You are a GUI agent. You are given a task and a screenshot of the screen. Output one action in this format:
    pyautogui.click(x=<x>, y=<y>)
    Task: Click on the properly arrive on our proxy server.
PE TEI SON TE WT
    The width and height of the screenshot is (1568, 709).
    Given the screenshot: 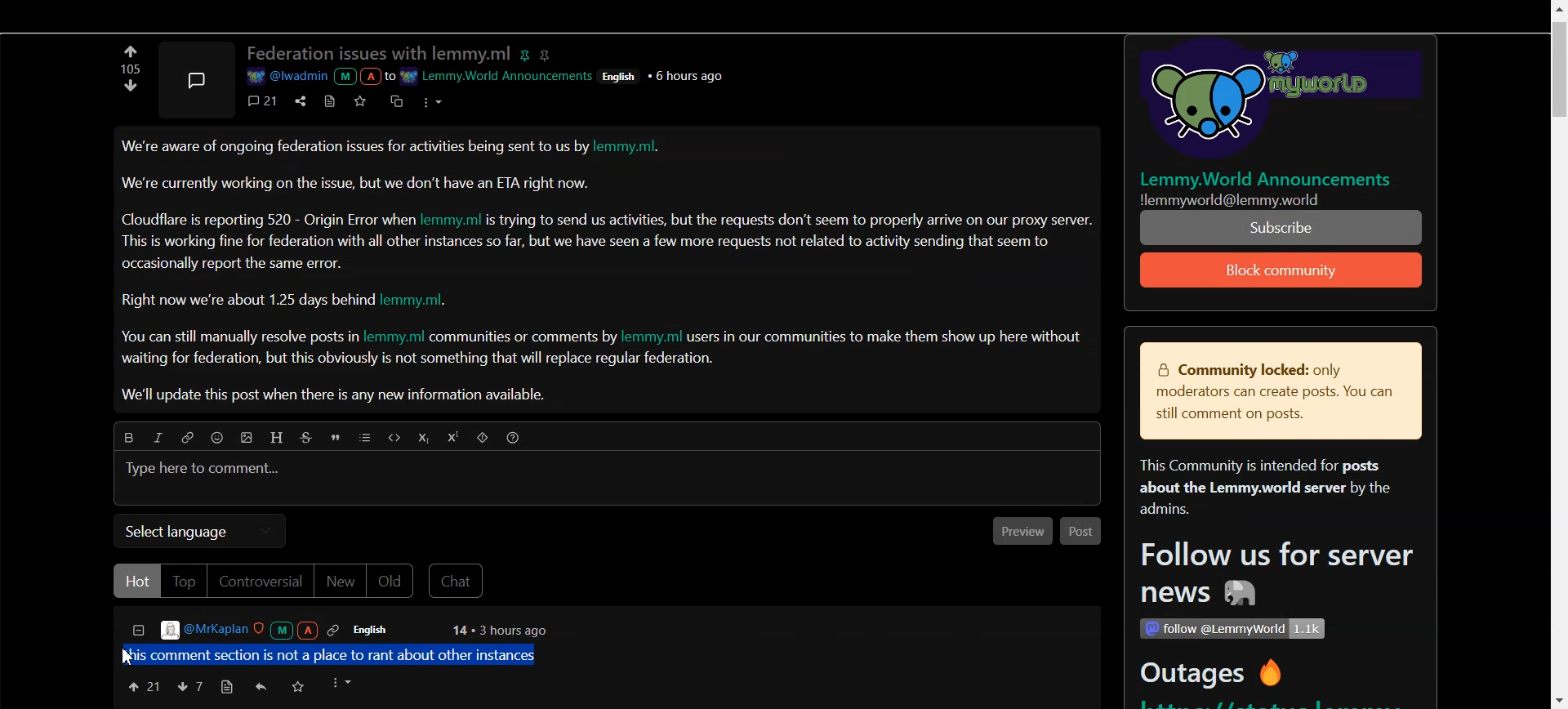 What is the action you would take?
    pyautogui.click(x=1283, y=227)
    